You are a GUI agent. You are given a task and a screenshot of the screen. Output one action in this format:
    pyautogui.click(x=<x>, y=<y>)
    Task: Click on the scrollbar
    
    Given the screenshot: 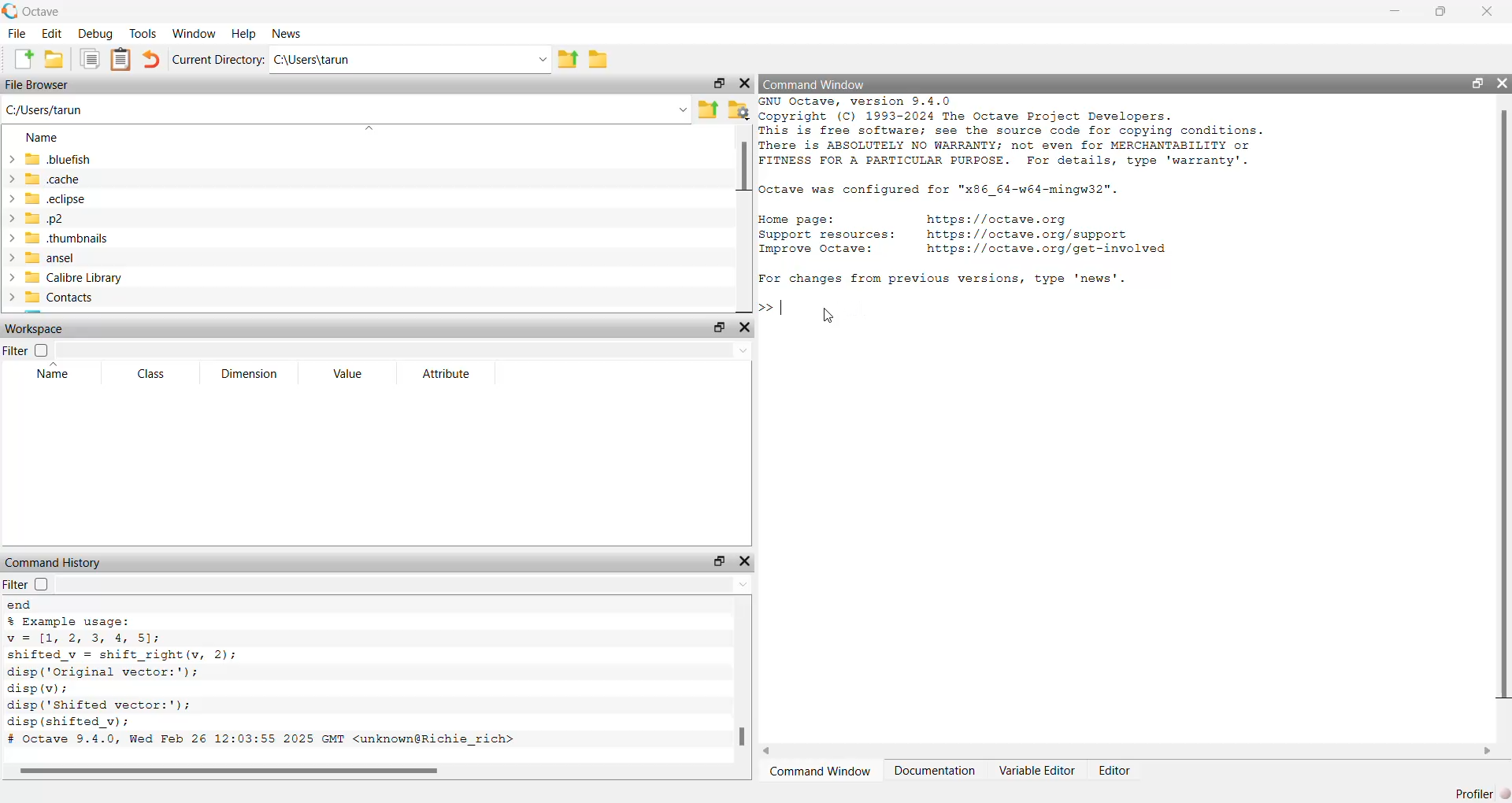 What is the action you would take?
    pyautogui.click(x=231, y=770)
    